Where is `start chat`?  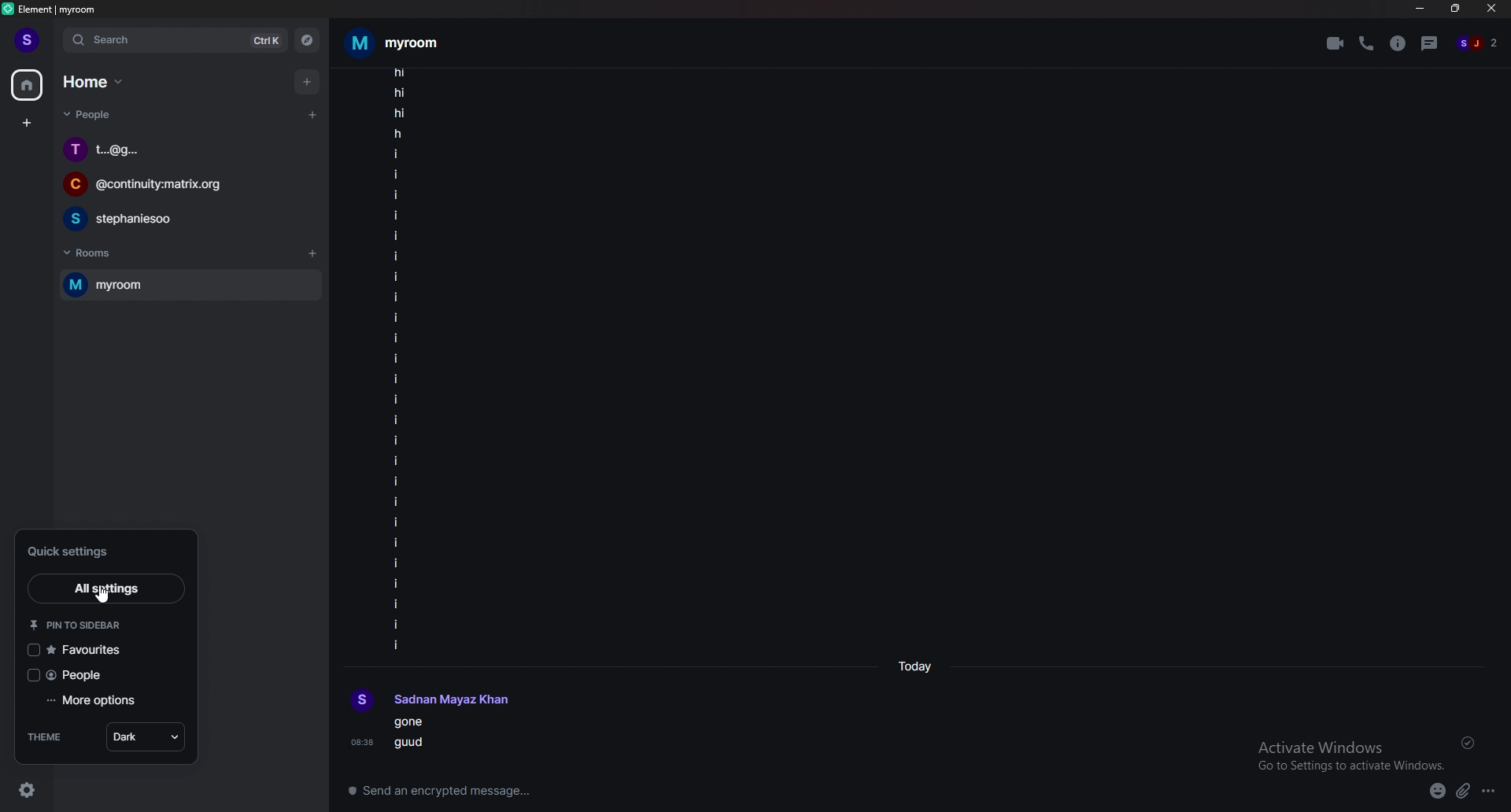 start chat is located at coordinates (312, 116).